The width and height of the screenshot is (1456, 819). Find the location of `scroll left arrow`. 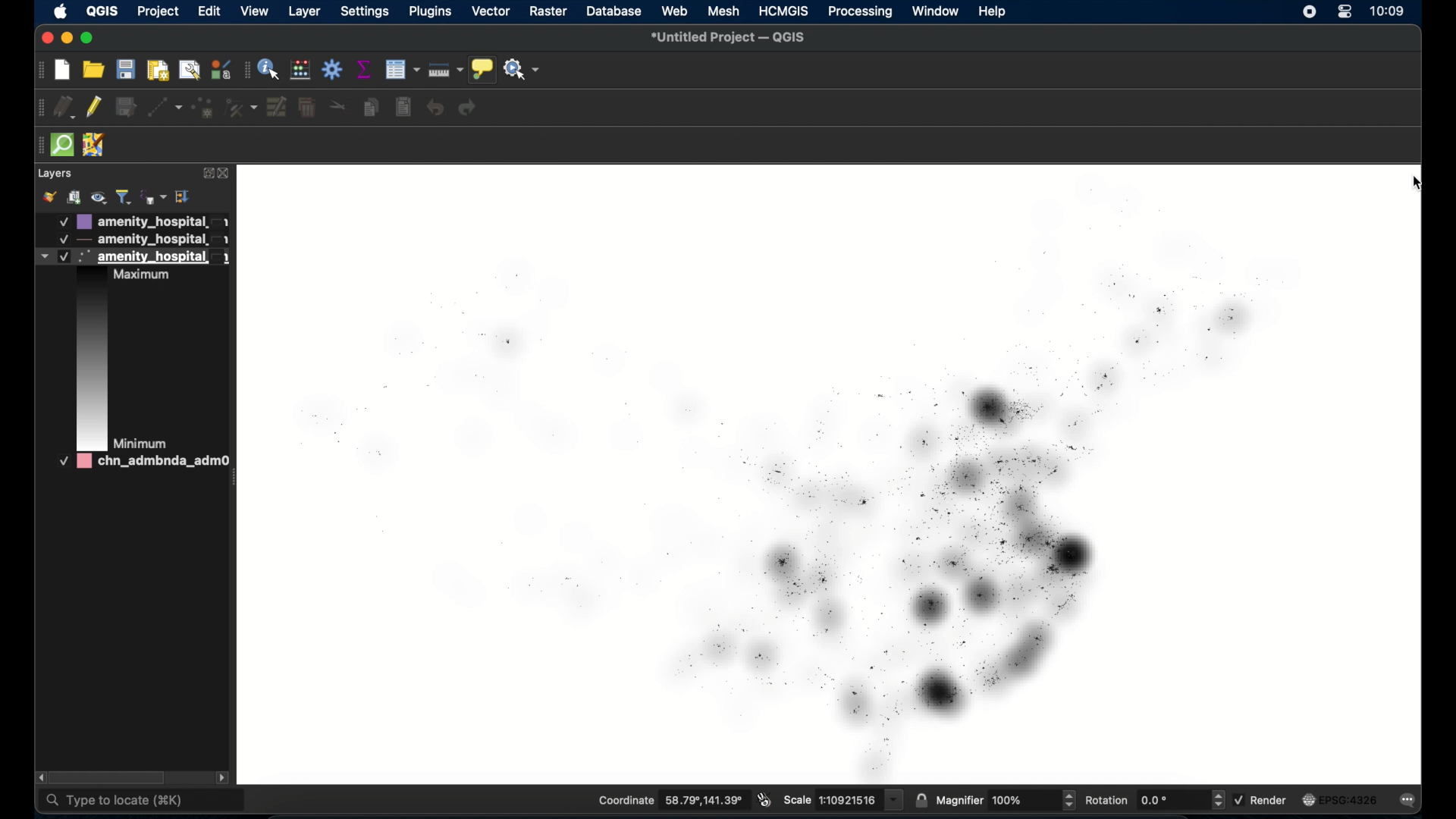

scroll left arrow is located at coordinates (36, 776).